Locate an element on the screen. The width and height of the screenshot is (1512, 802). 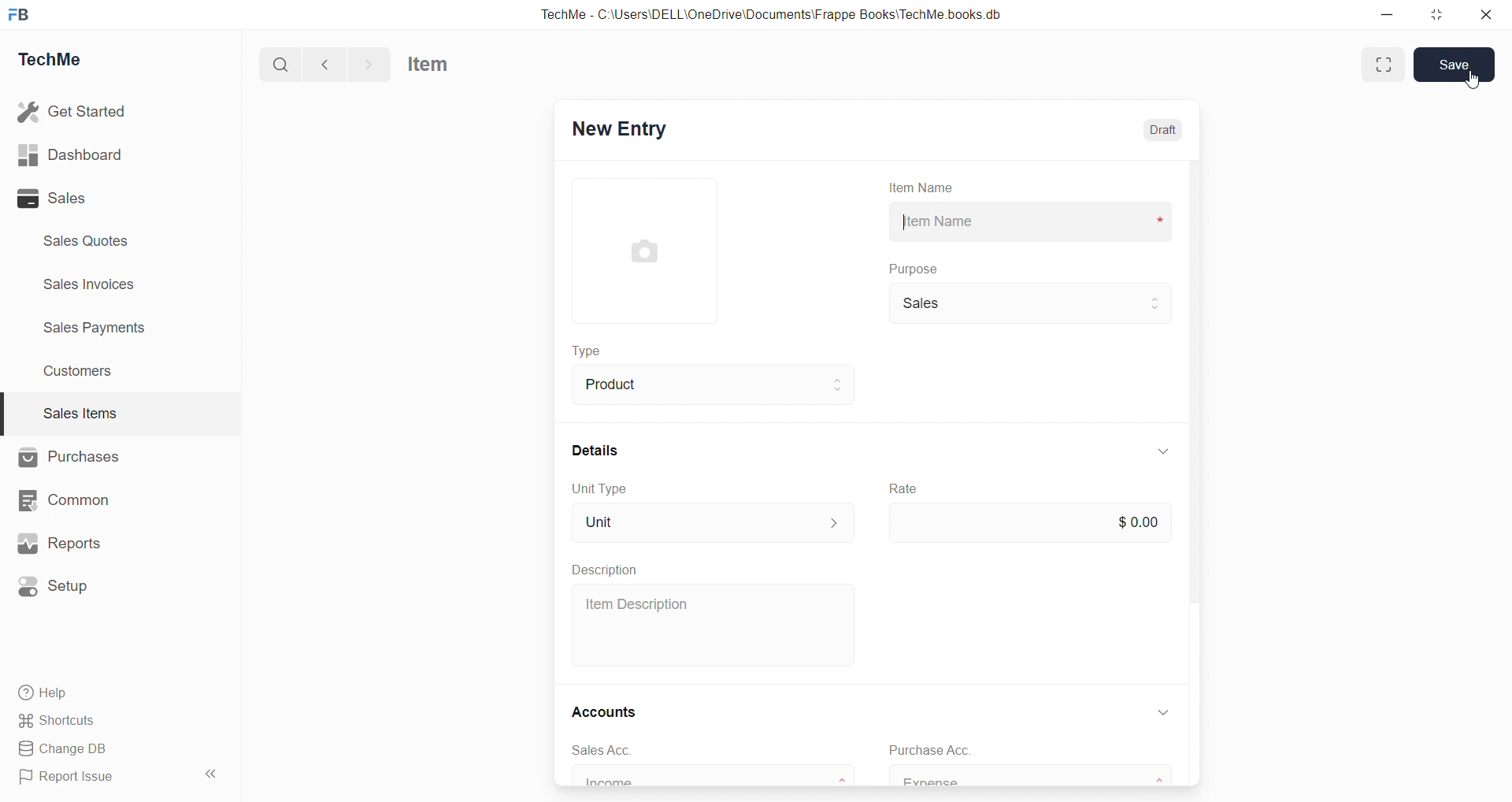
Rate is located at coordinates (902, 488).